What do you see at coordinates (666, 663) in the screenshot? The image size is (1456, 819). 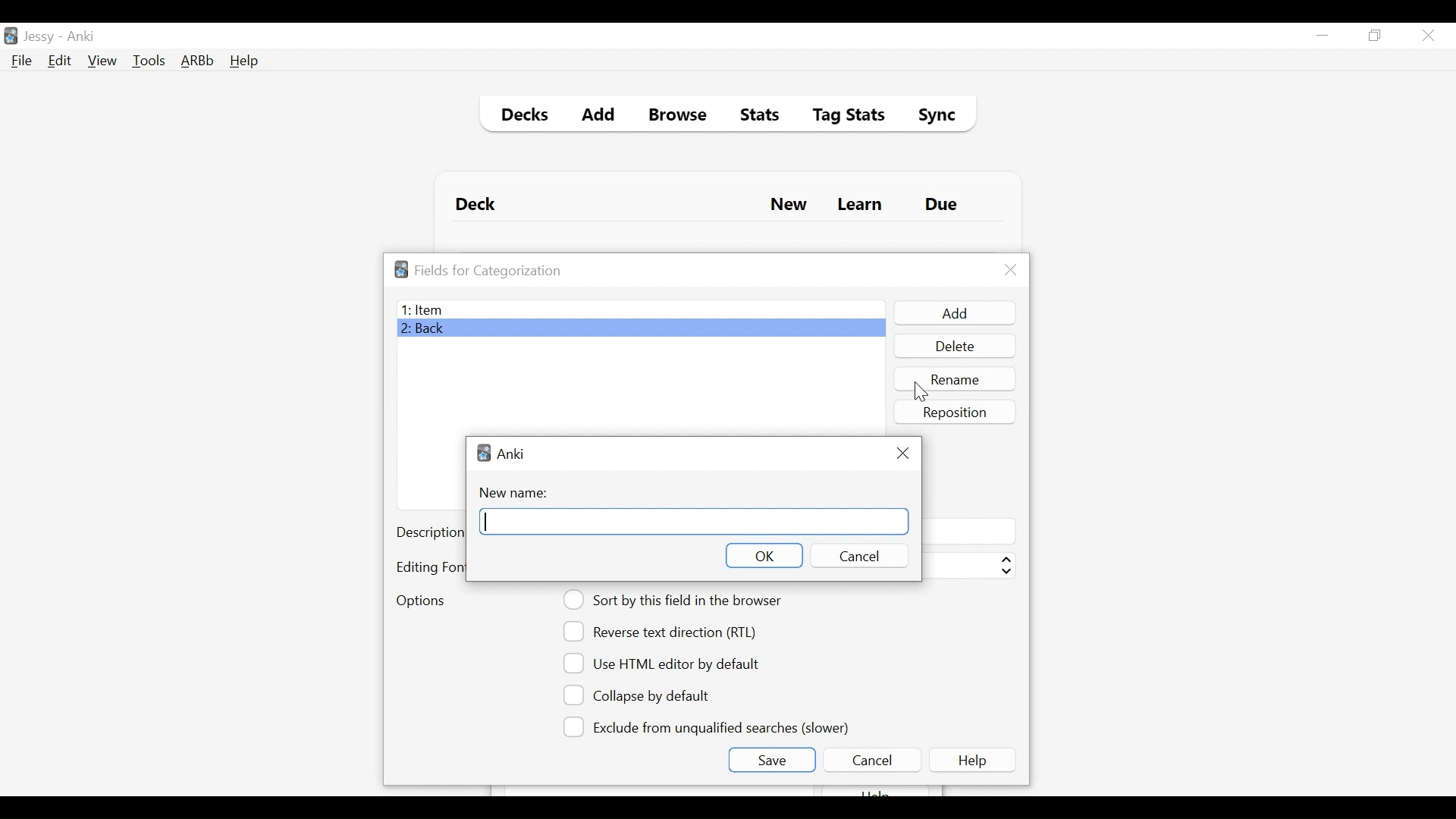 I see `(un)select Use HTML editor by default` at bounding box center [666, 663].